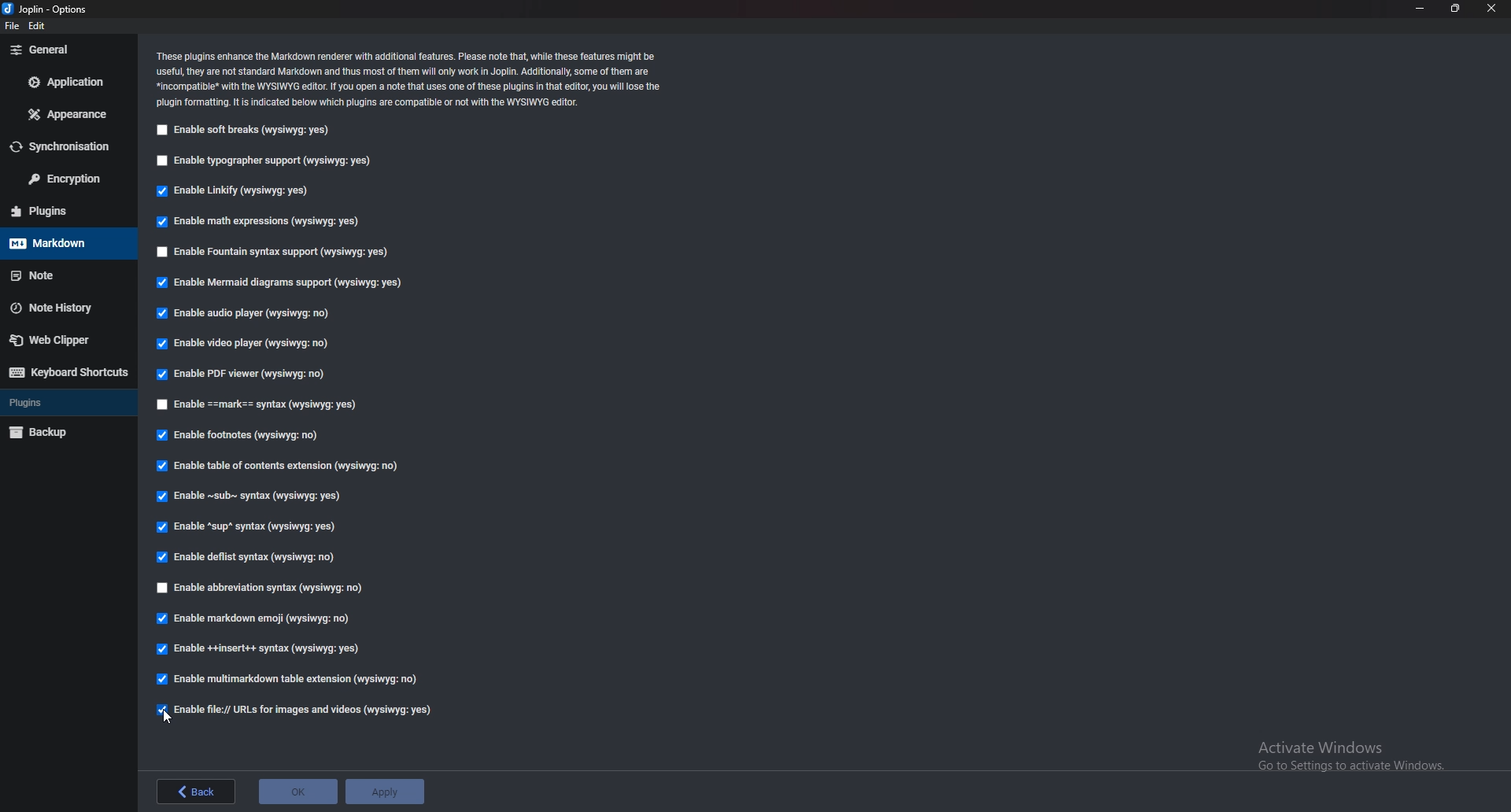 This screenshot has width=1511, height=812. What do you see at coordinates (277, 252) in the screenshot?
I see `enable fountain syntax support` at bounding box center [277, 252].